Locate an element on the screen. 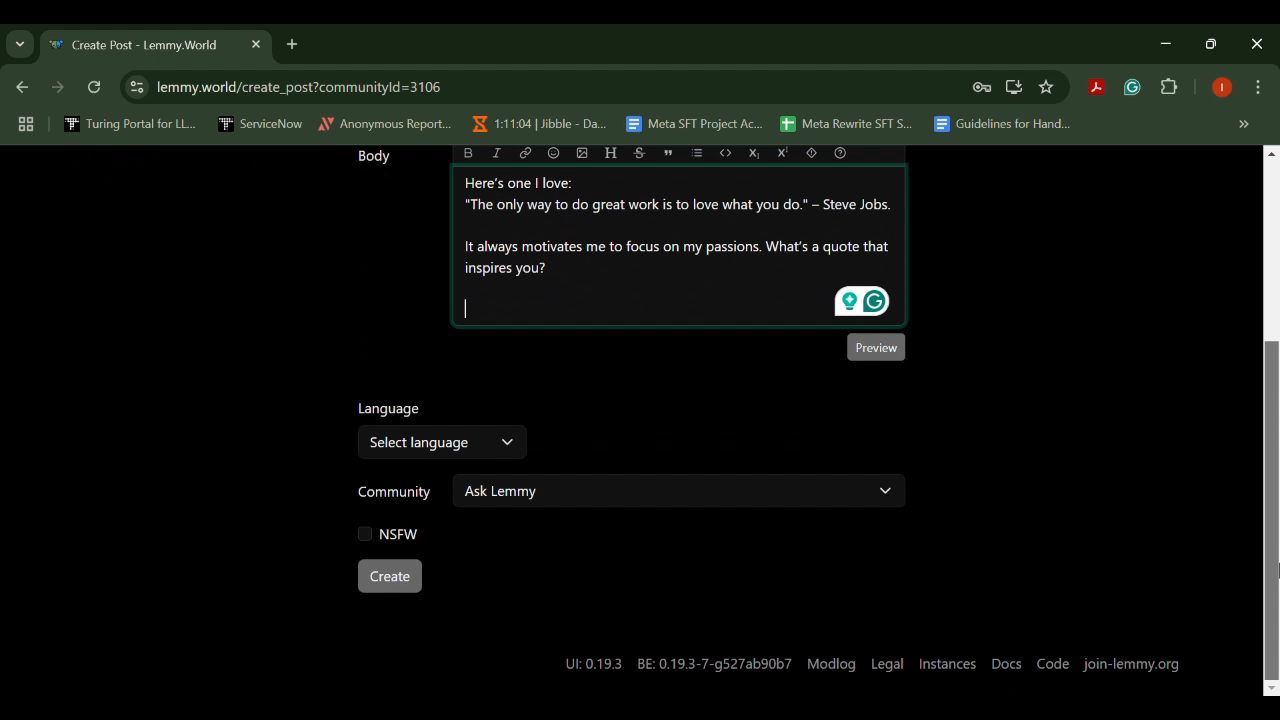 Image resolution: width=1280 pixels, height=720 pixels. join-lemmy.org is located at coordinates (1132, 663).